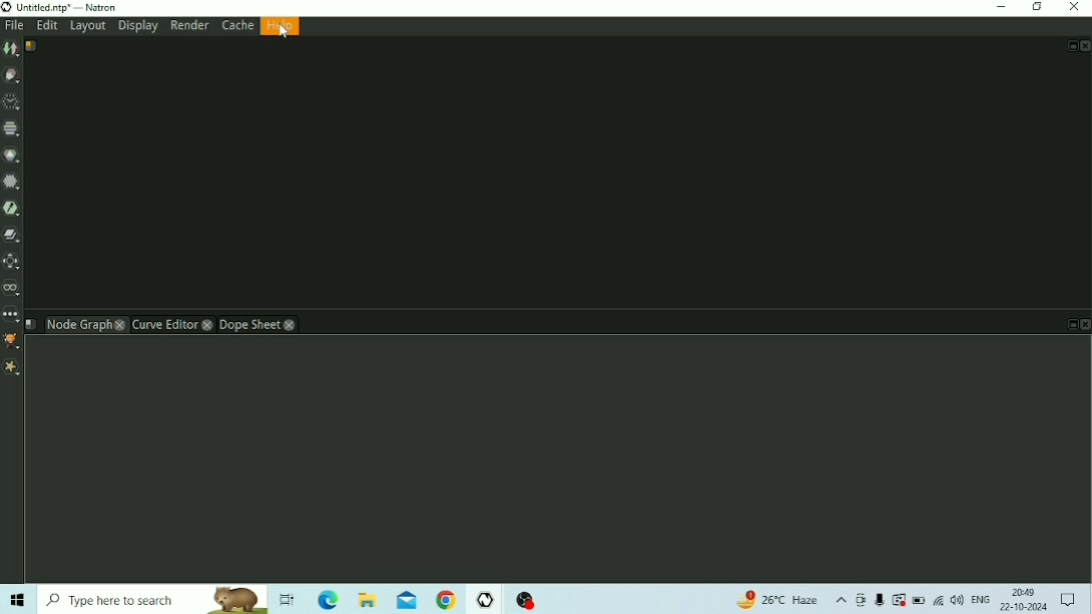 This screenshot has width=1092, height=614. Describe the element at coordinates (20, 600) in the screenshot. I see `Windows` at that location.